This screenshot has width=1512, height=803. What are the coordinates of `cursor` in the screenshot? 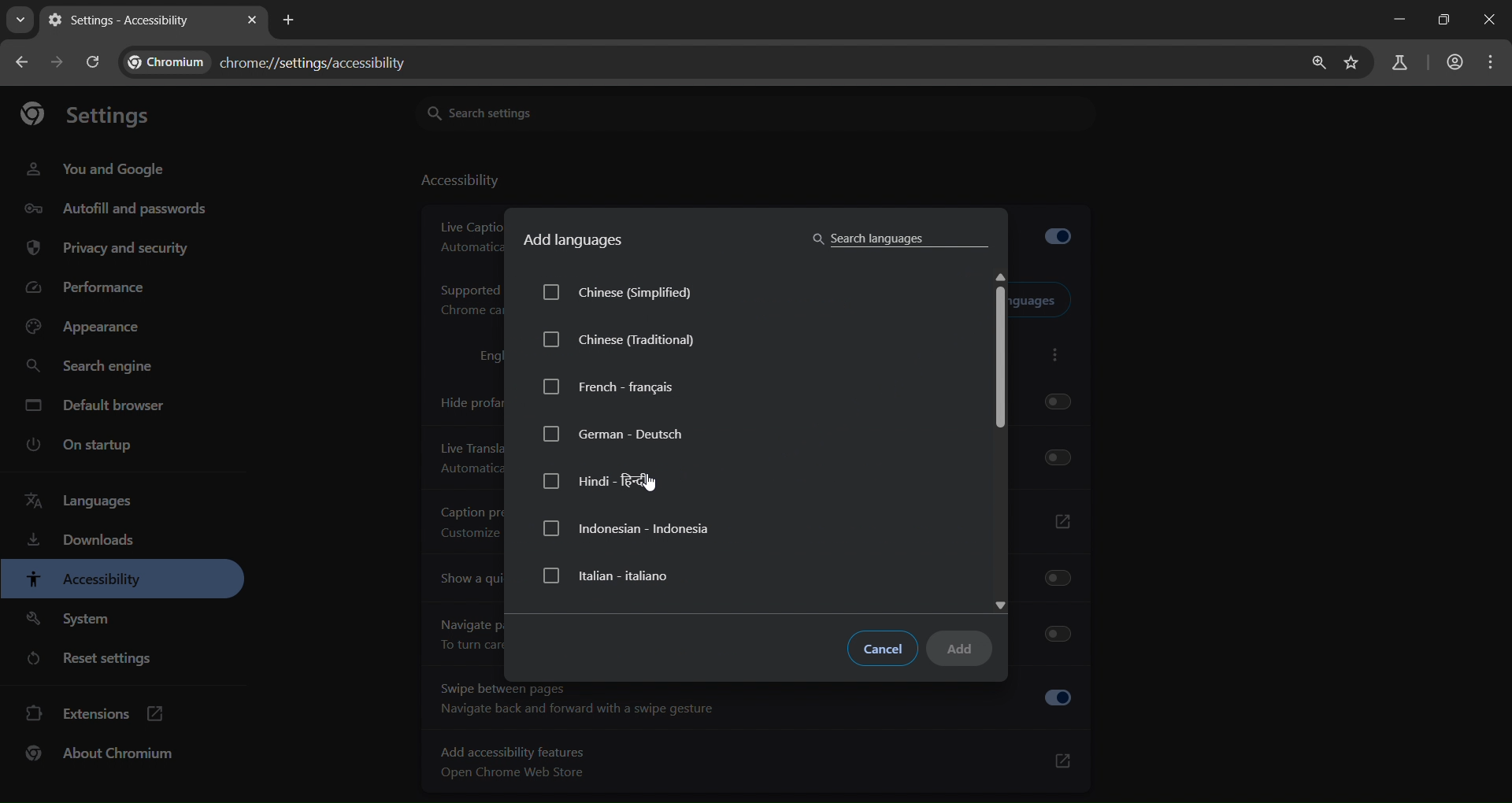 It's located at (655, 485).